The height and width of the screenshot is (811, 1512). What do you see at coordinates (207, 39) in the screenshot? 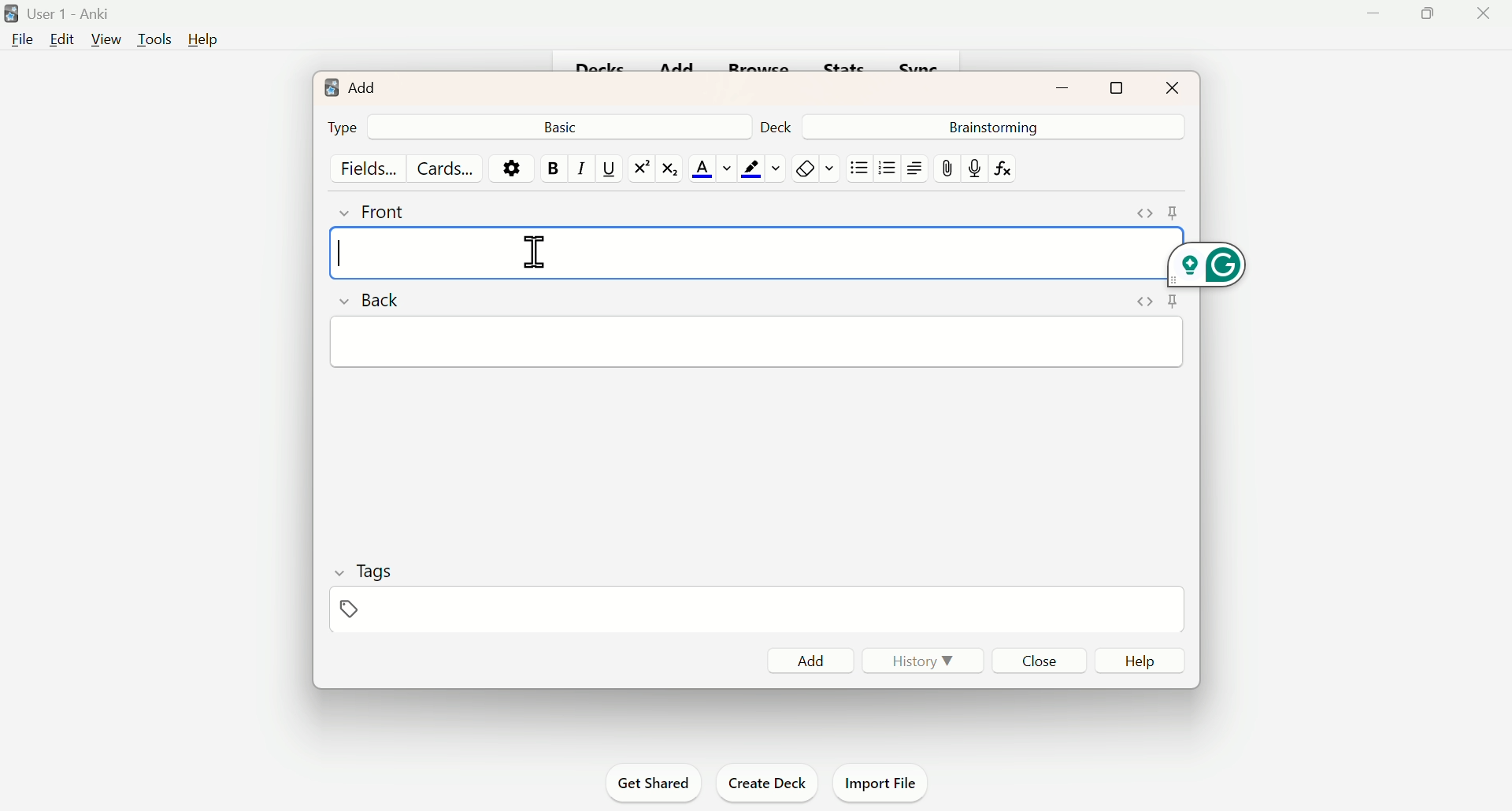
I see `` at bounding box center [207, 39].